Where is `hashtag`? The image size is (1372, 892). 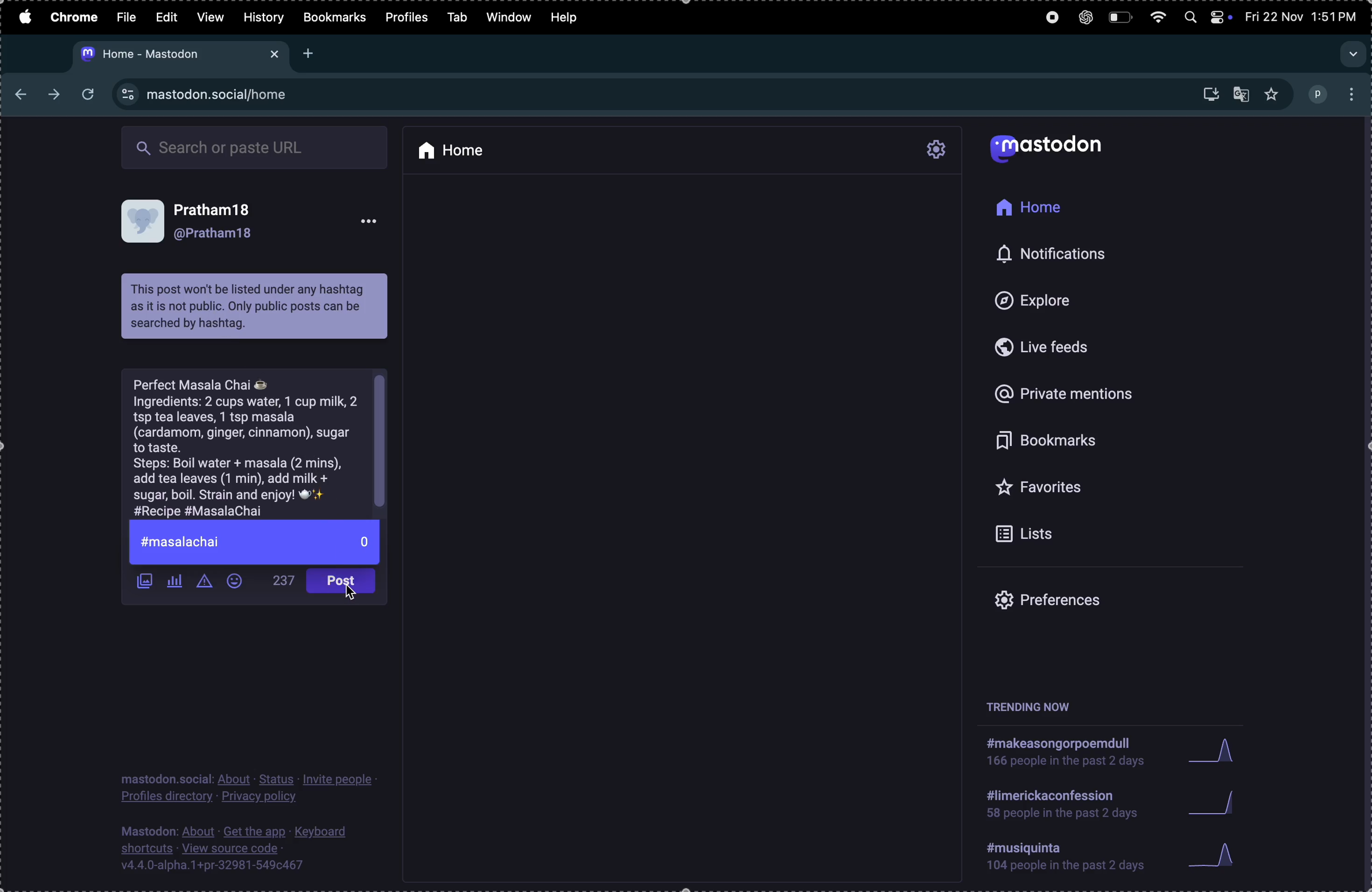 hashtag is located at coordinates (1062, 752).